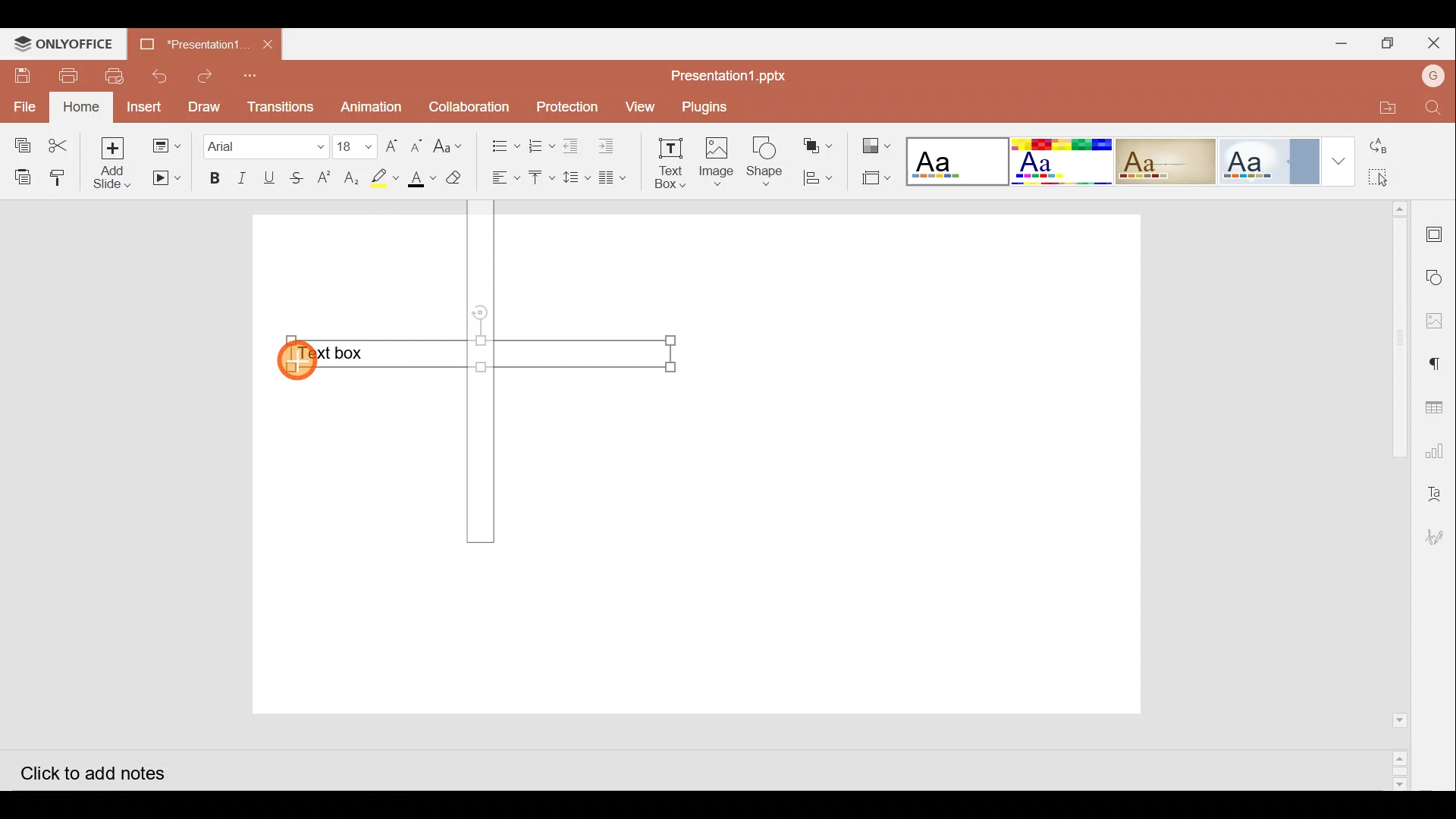  Describe the element at coordinates (764, 162) in the screenshot. I see `Insert Shape` at that location.